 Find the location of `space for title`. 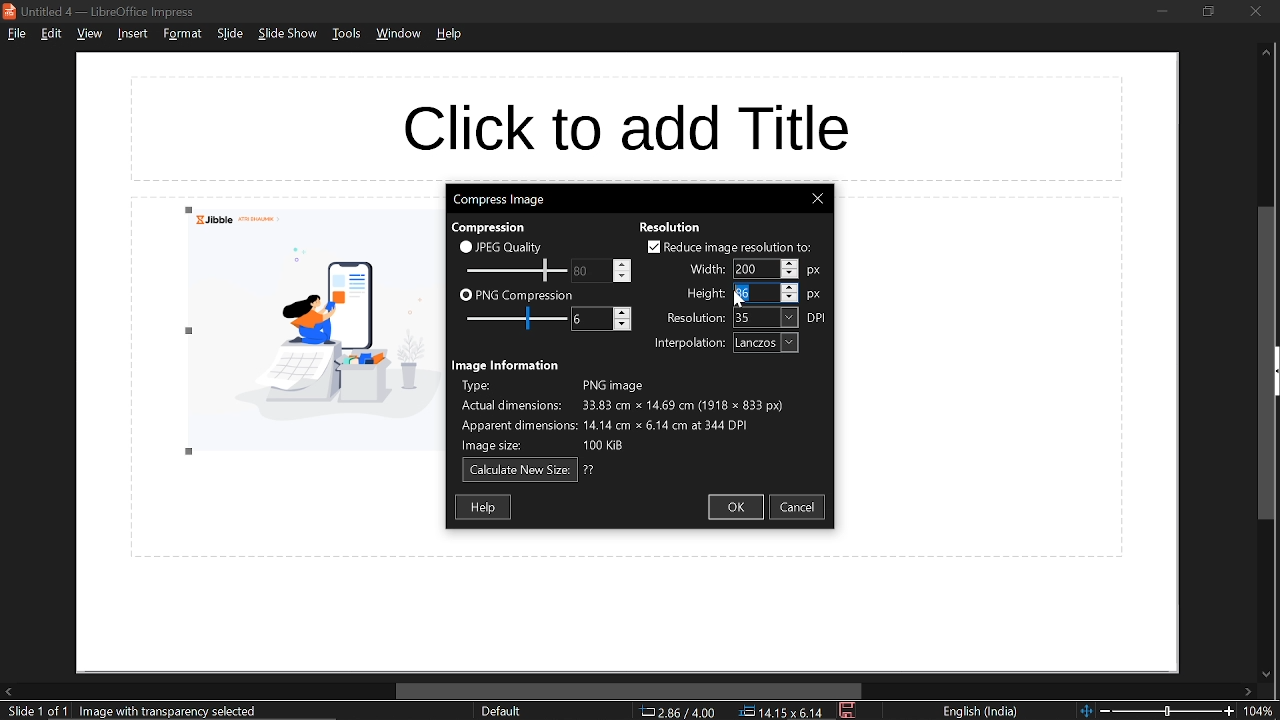

space for title is located at coordinates (625, 127).